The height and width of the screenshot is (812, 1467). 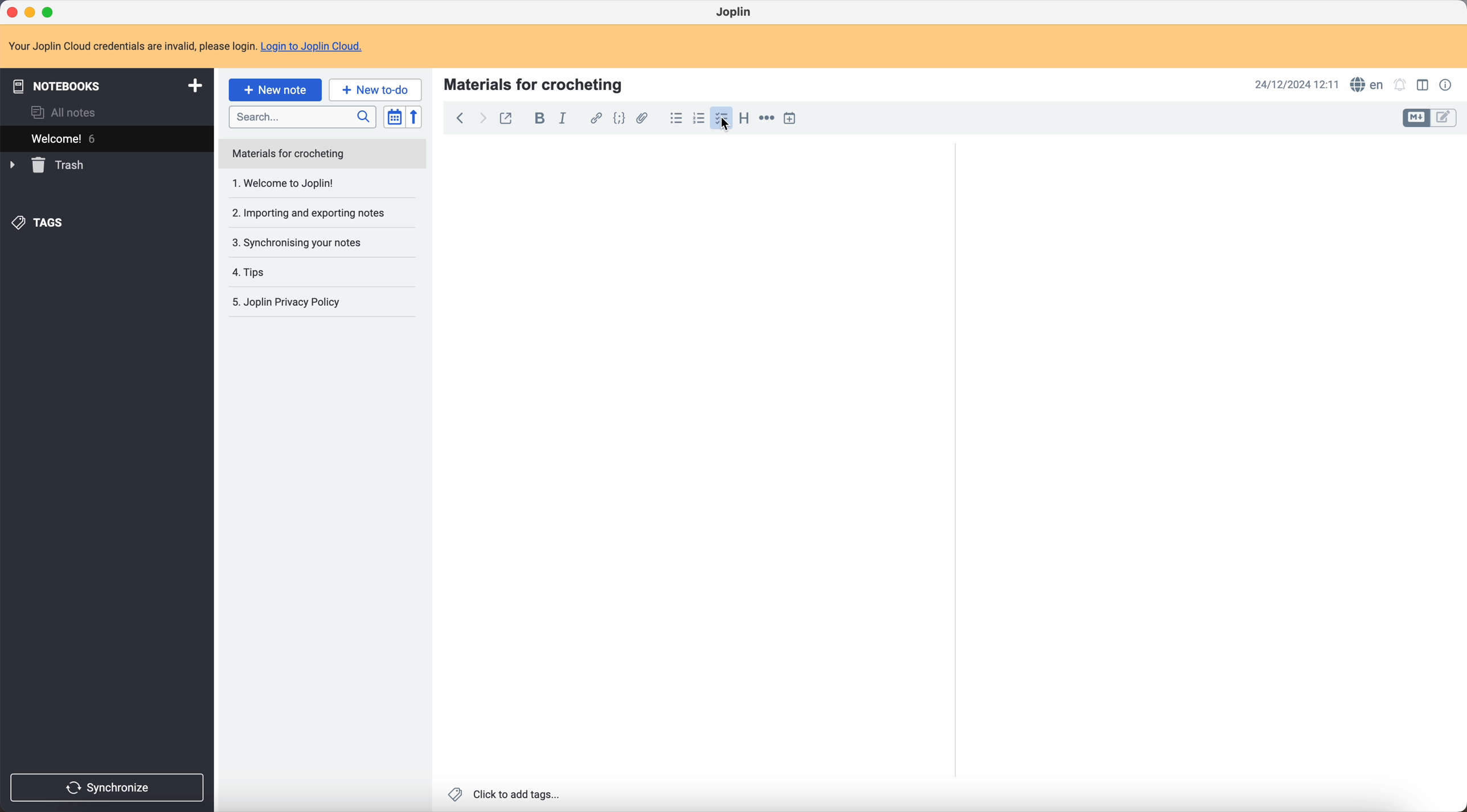 I want to click on hyperlink, so click(x=593, y=118).